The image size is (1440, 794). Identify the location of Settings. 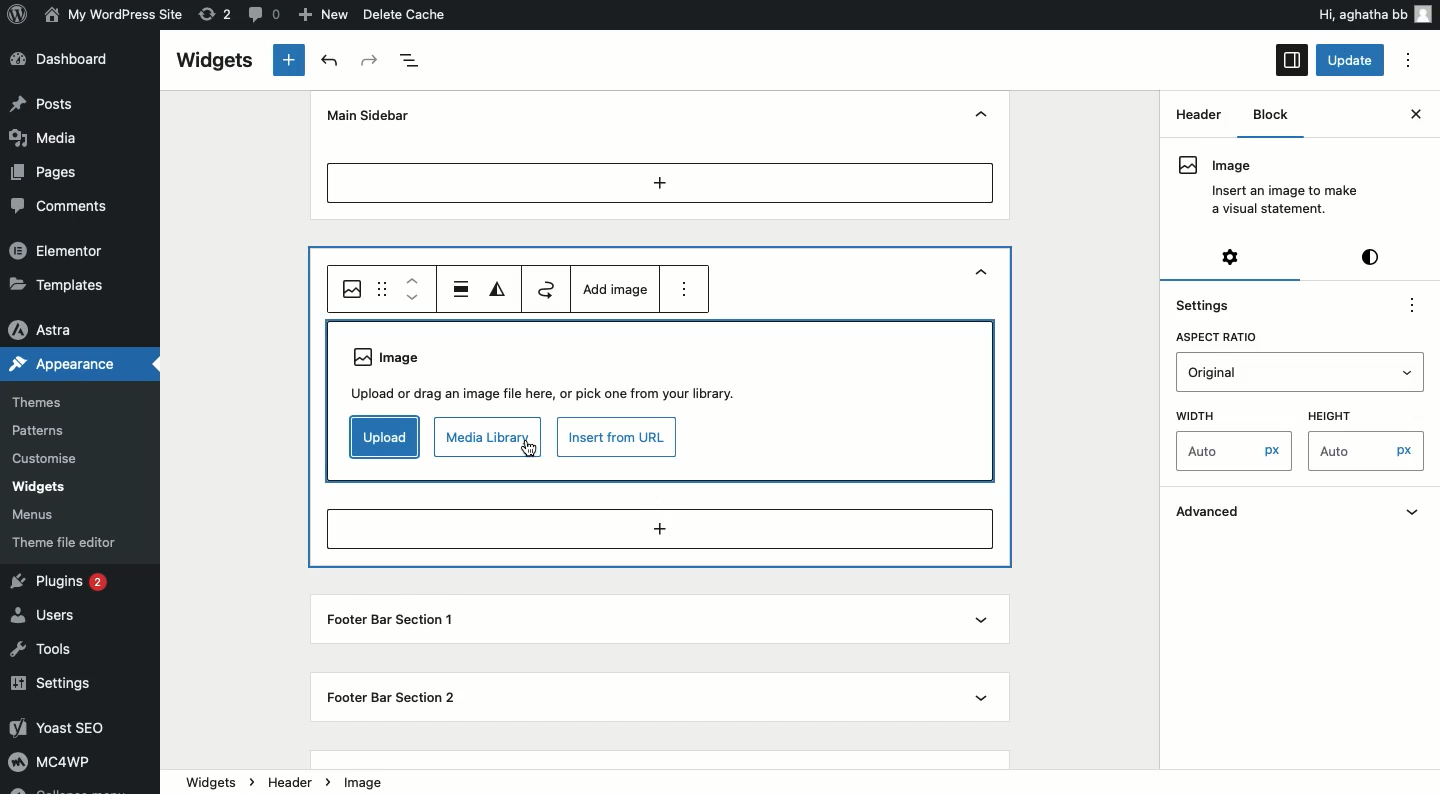
(53, 685).